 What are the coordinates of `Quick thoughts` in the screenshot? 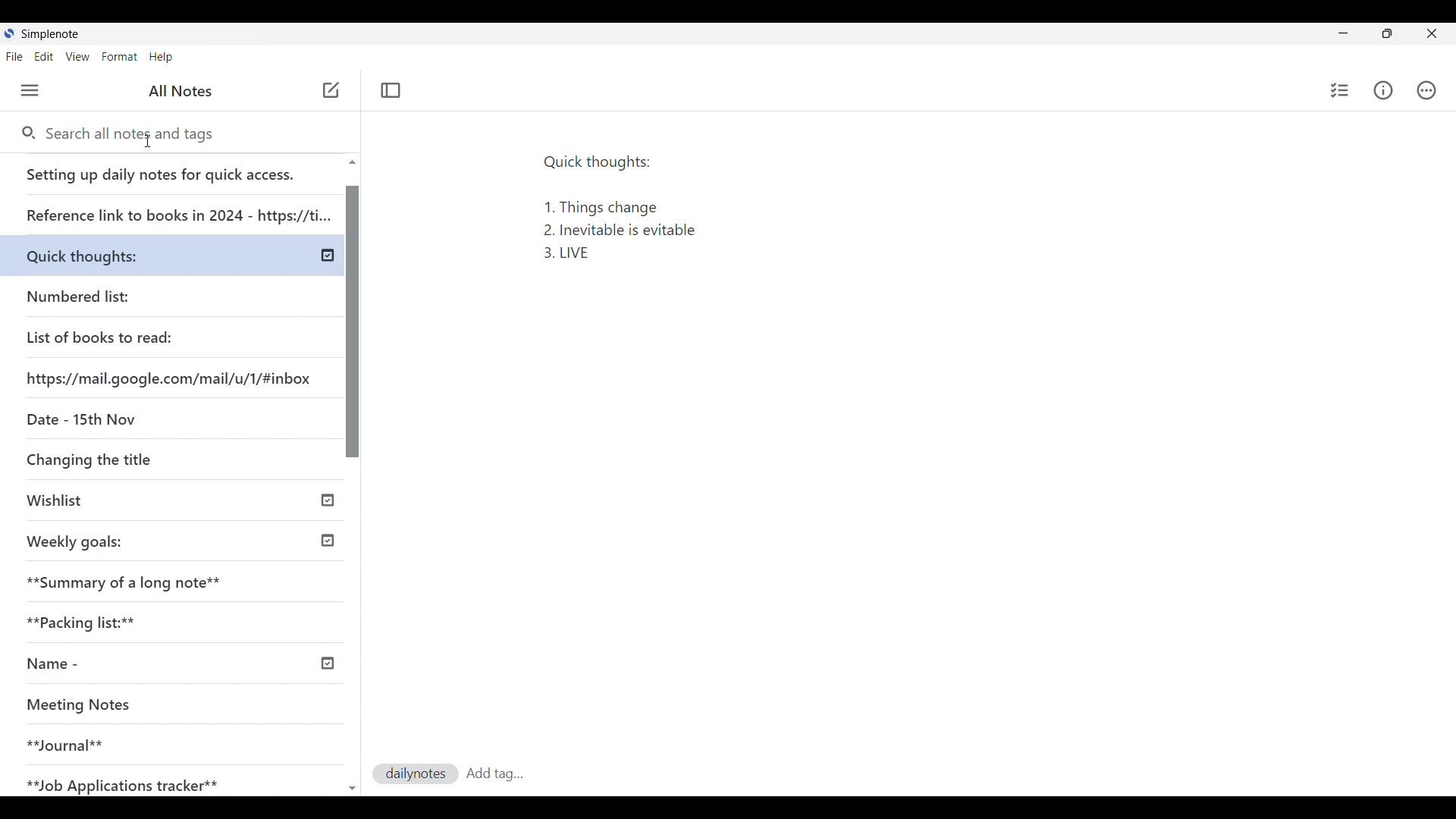 It's located at (118, 253).